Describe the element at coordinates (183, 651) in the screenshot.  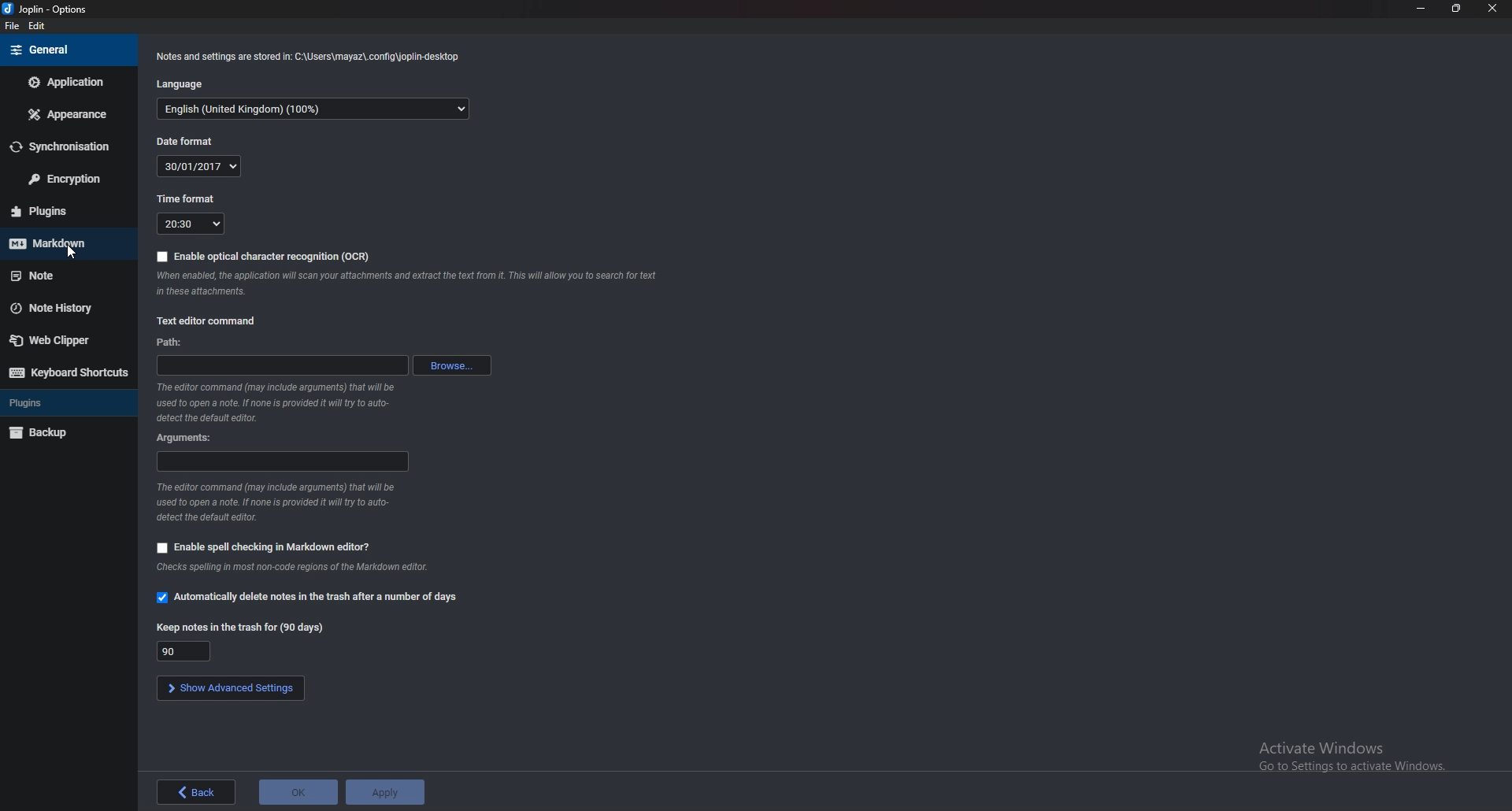
I see `Keep notes in the trash for` at that location.